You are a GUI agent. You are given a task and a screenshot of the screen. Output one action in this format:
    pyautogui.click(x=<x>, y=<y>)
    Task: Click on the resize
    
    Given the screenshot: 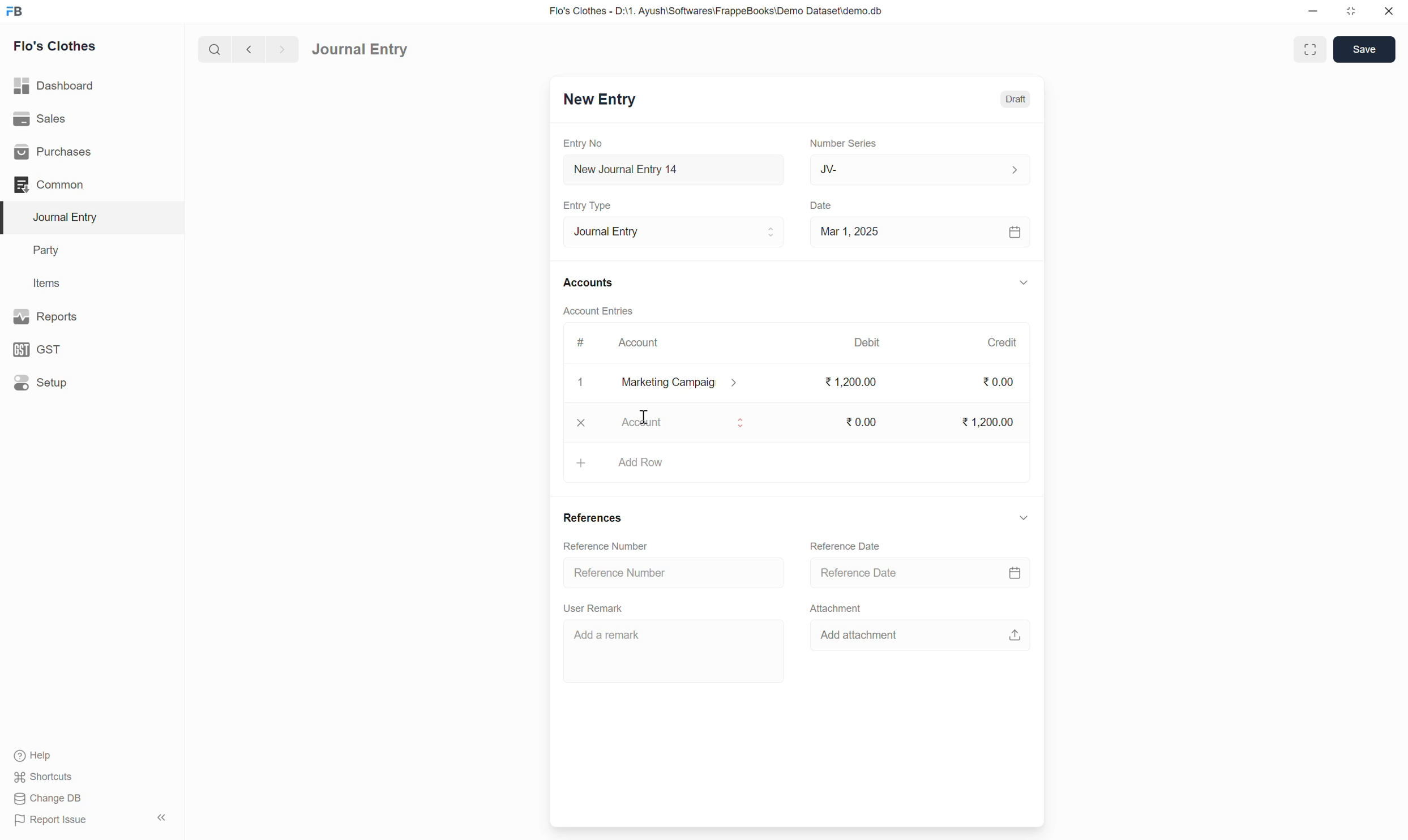 What is the action you would take?
    pyautogui.click(x=1349, y=11)
    